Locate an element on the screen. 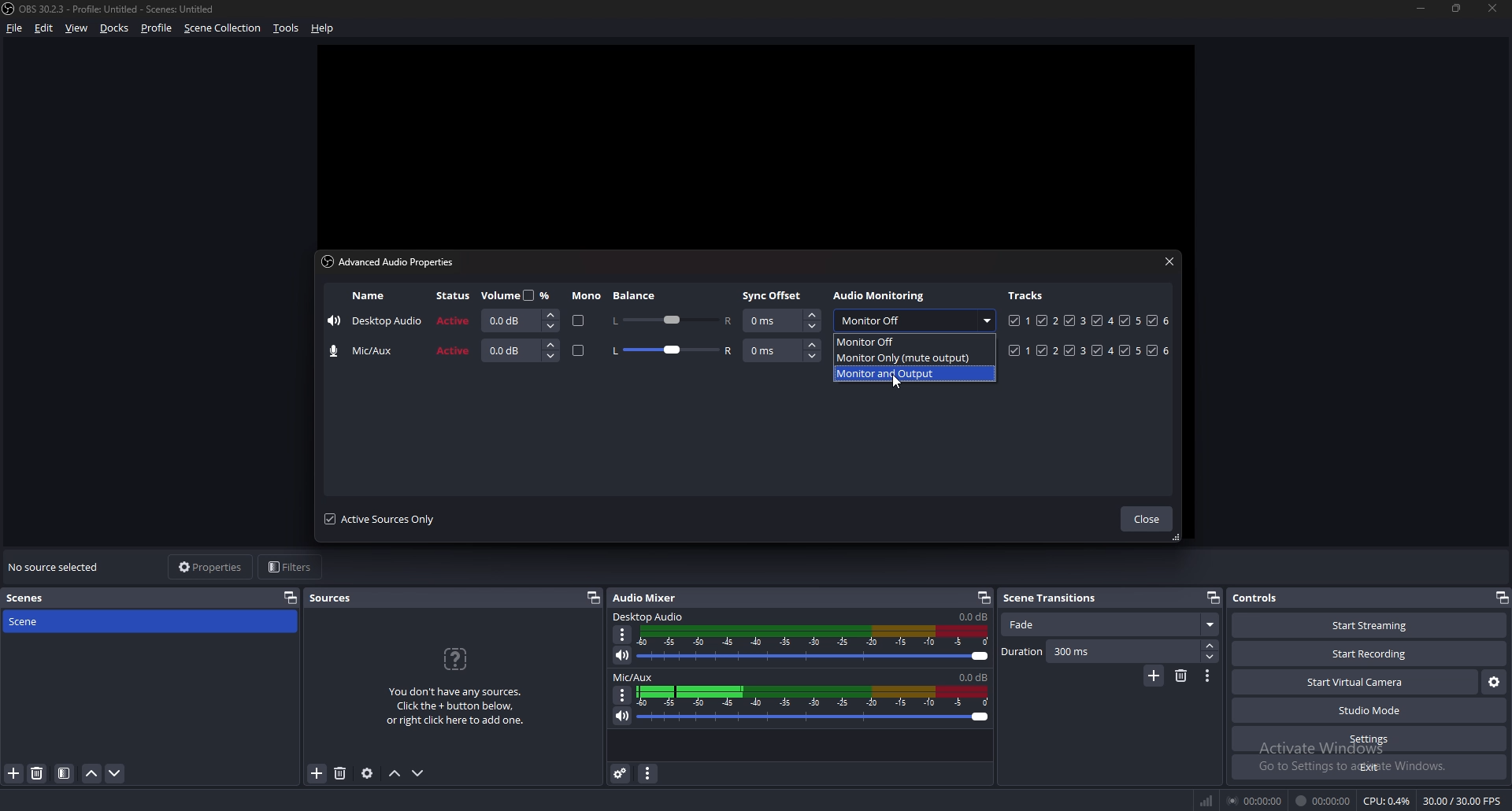 This screenshot has width=1512, height=811. scene collection is located at coordinates (224, 28).